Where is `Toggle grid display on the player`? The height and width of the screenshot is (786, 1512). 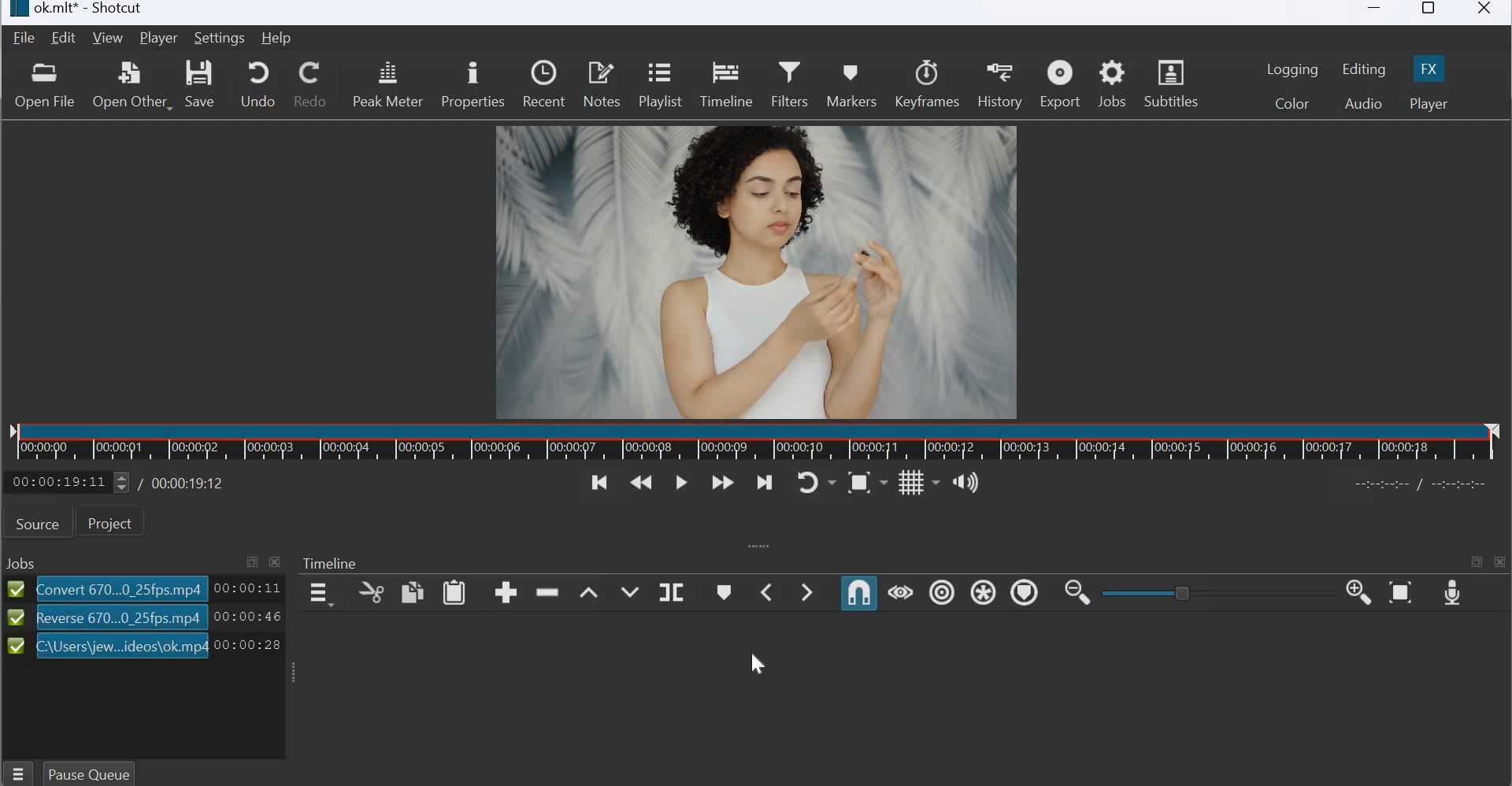
Toggle grid display on the player is located at coordinates (918, 481).